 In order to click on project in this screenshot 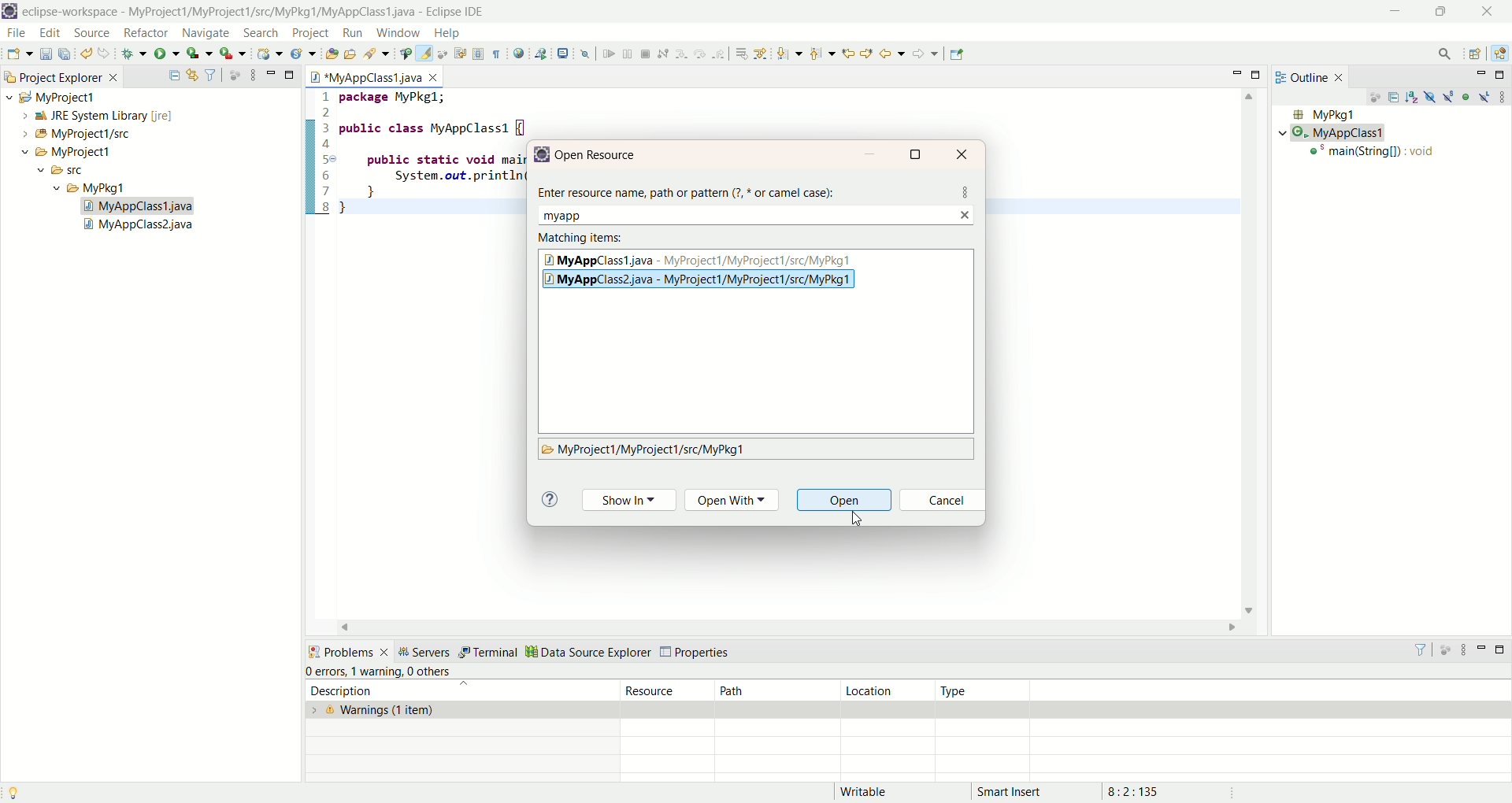, I will do `click(307, 33)`.